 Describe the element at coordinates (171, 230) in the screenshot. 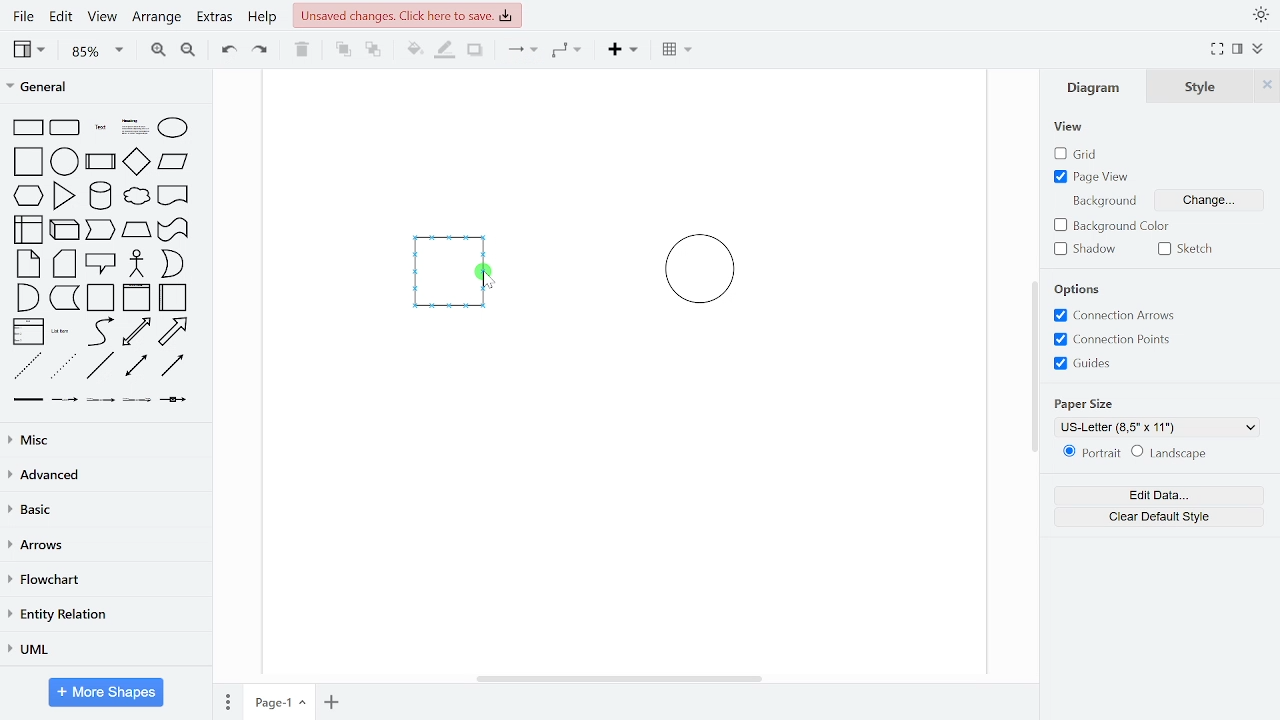

I see `tape` at that location.